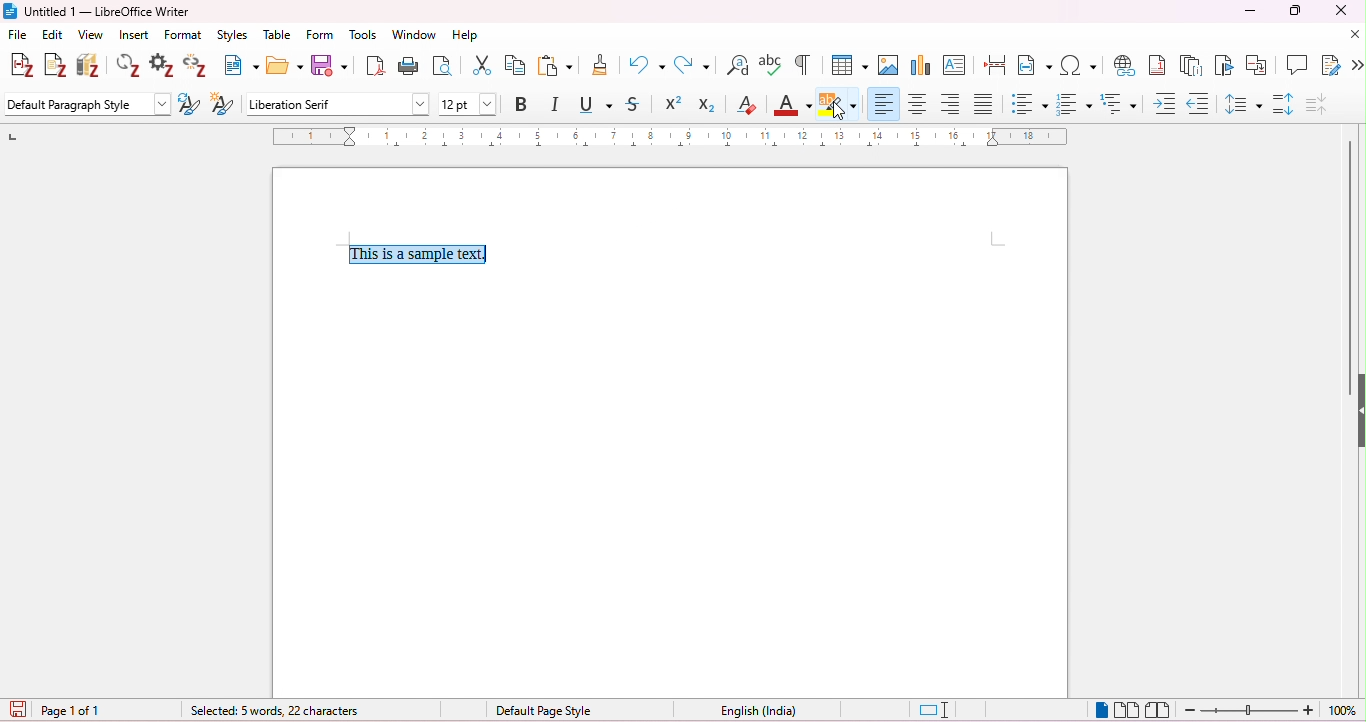 The width and height of the screenshot is (1366, 722). I want to click on zoom, so click(1270, 710).